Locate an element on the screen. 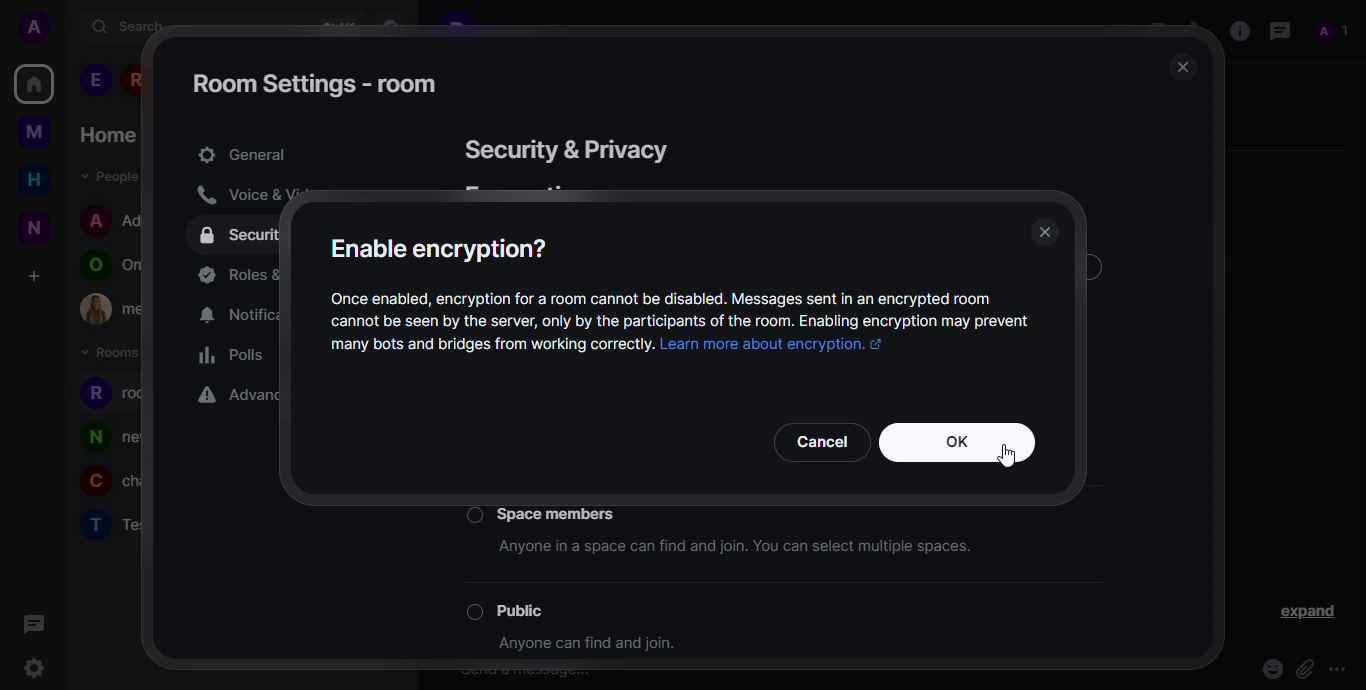 This screenshot has height=690, width=1366. attach is located at coordinates (1304, 669).